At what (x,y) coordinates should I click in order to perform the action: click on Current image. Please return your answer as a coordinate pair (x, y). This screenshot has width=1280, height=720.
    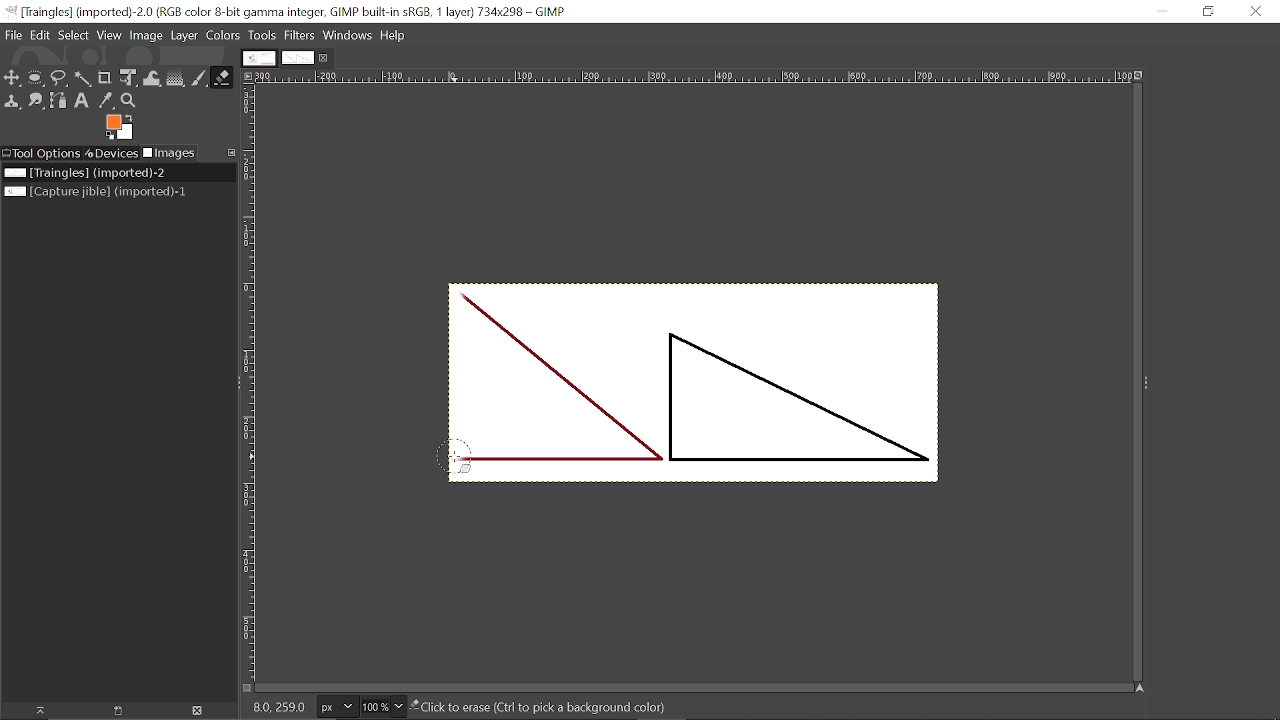
    Looking at the image, I should click on (716, 394).